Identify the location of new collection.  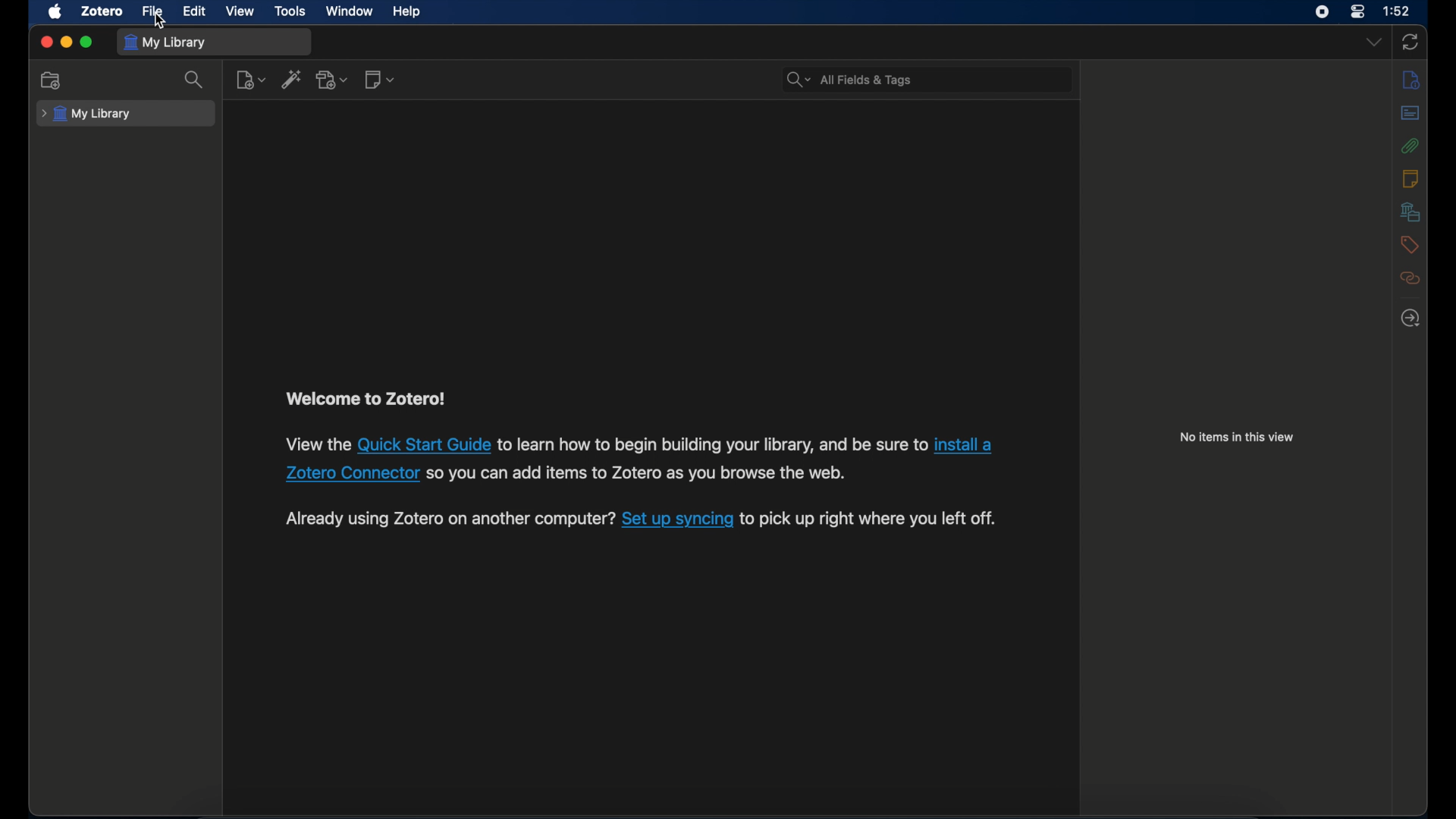
(52, 80).